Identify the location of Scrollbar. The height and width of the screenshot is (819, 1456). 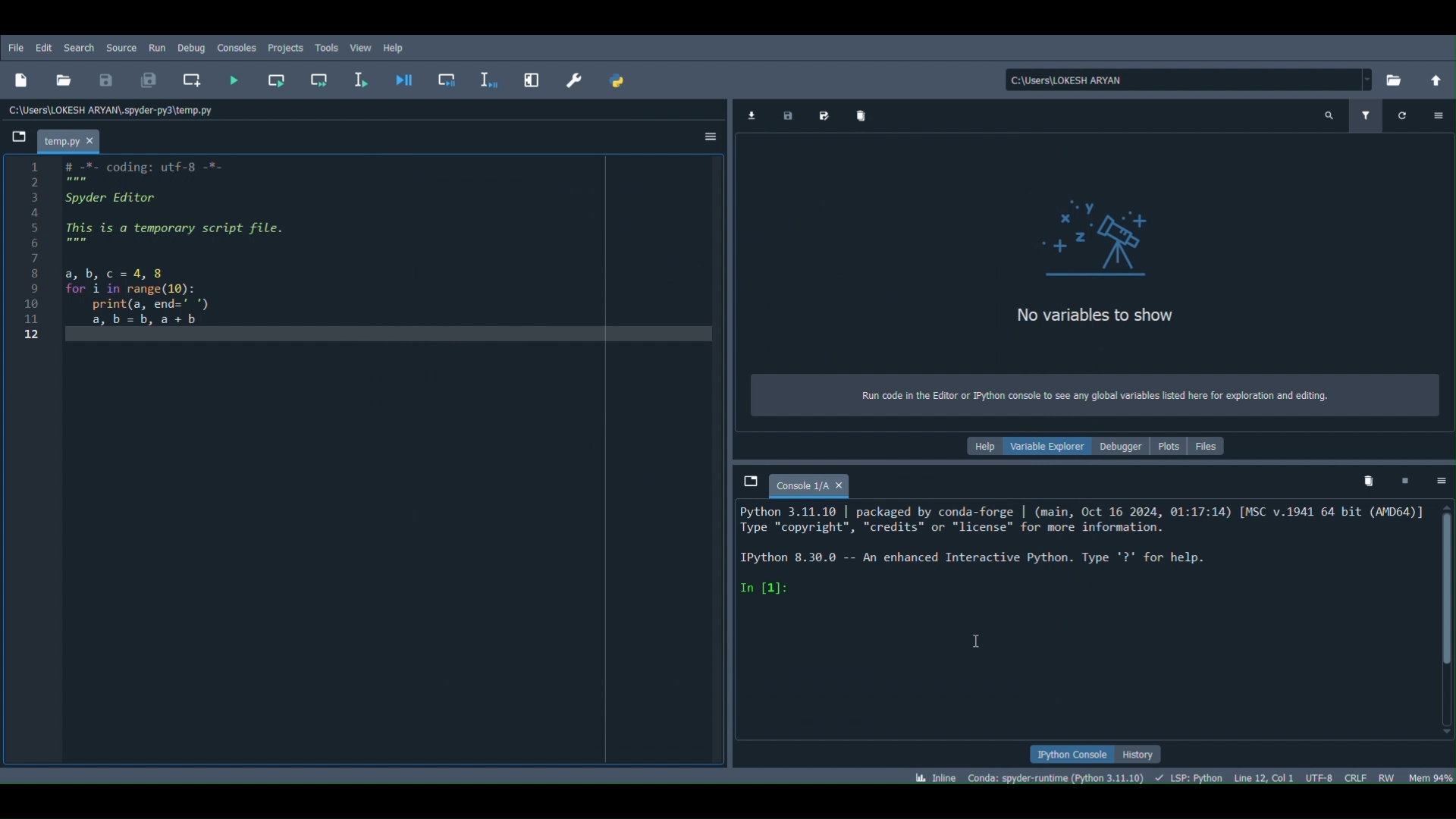
(1447, 620).